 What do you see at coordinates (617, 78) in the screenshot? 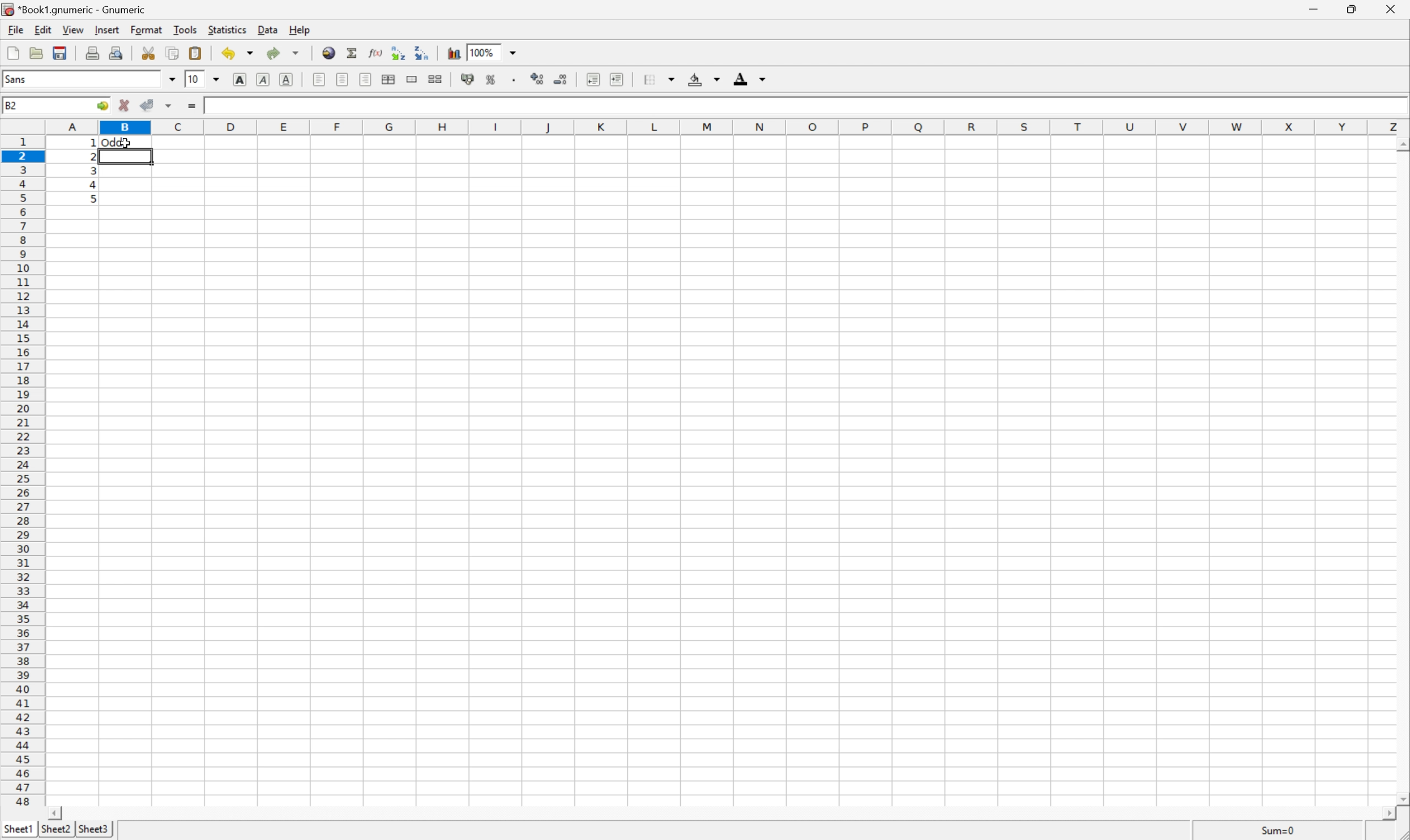
I see `Increase indent, and align the contents to the left` at bounding box center [617, 78].